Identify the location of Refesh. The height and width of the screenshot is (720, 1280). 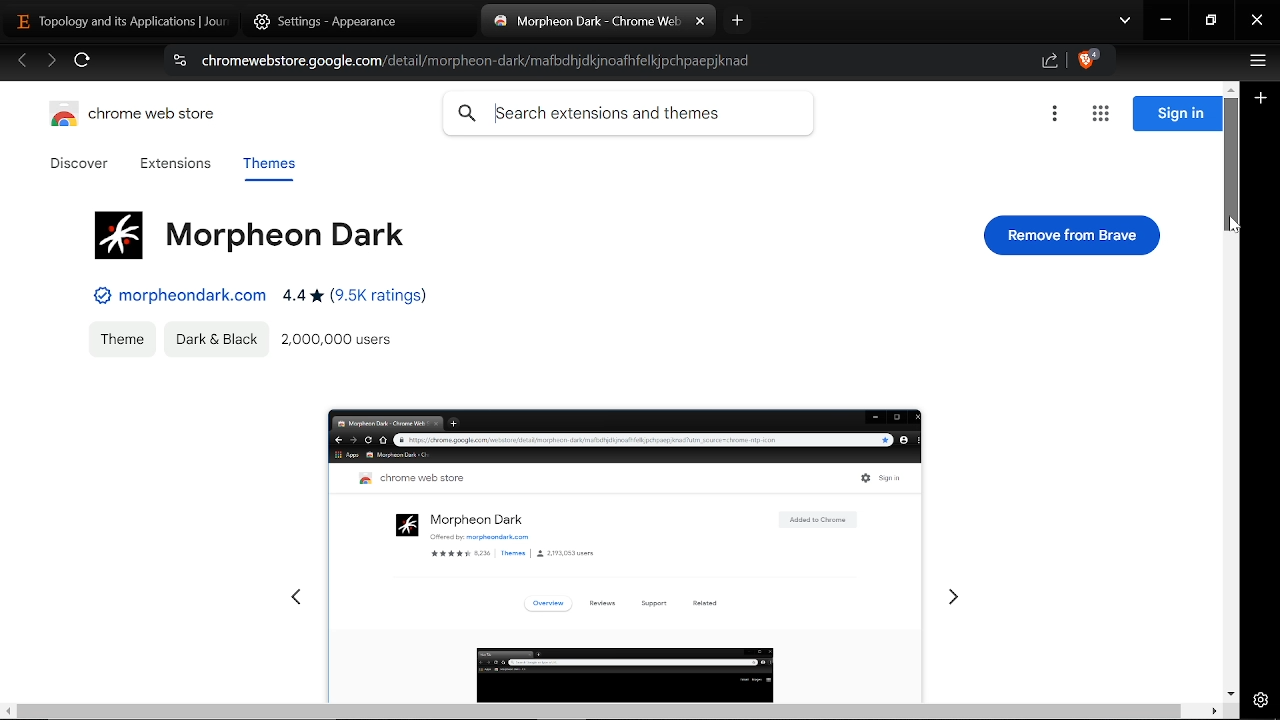
(83, 63).